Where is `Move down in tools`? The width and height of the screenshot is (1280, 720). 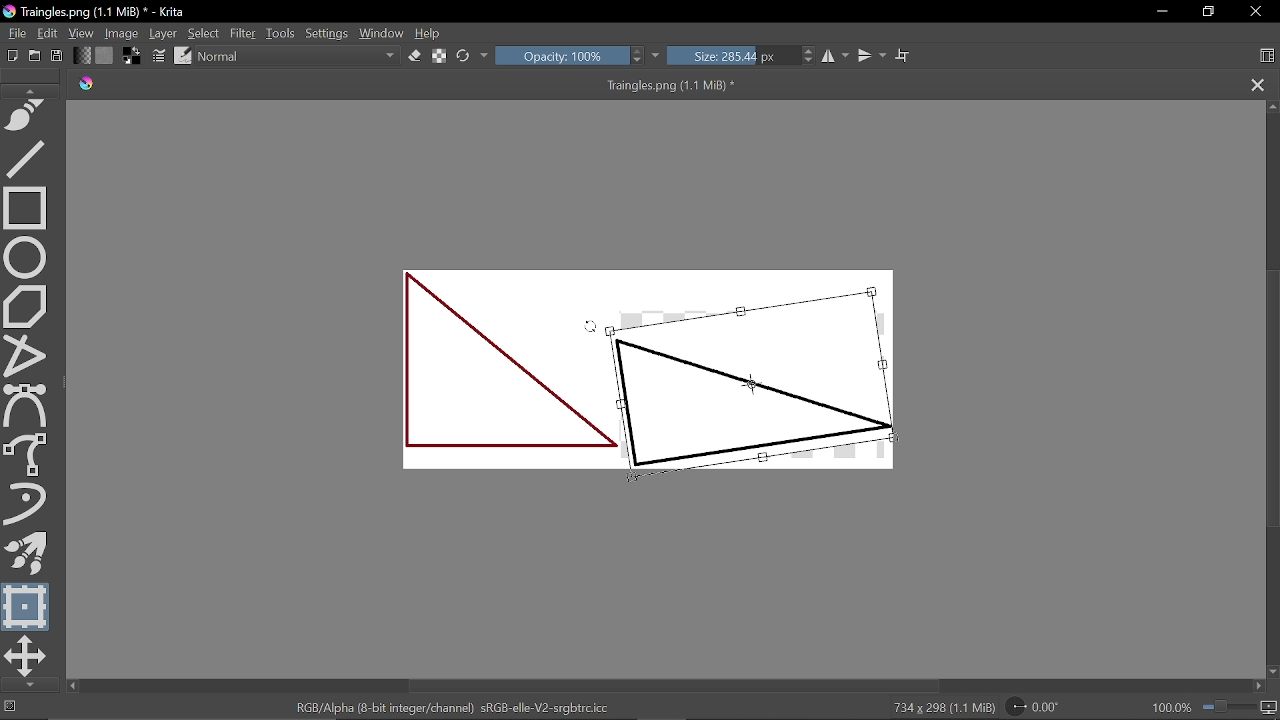
Move down in tools is located at coordinates (26, 685).